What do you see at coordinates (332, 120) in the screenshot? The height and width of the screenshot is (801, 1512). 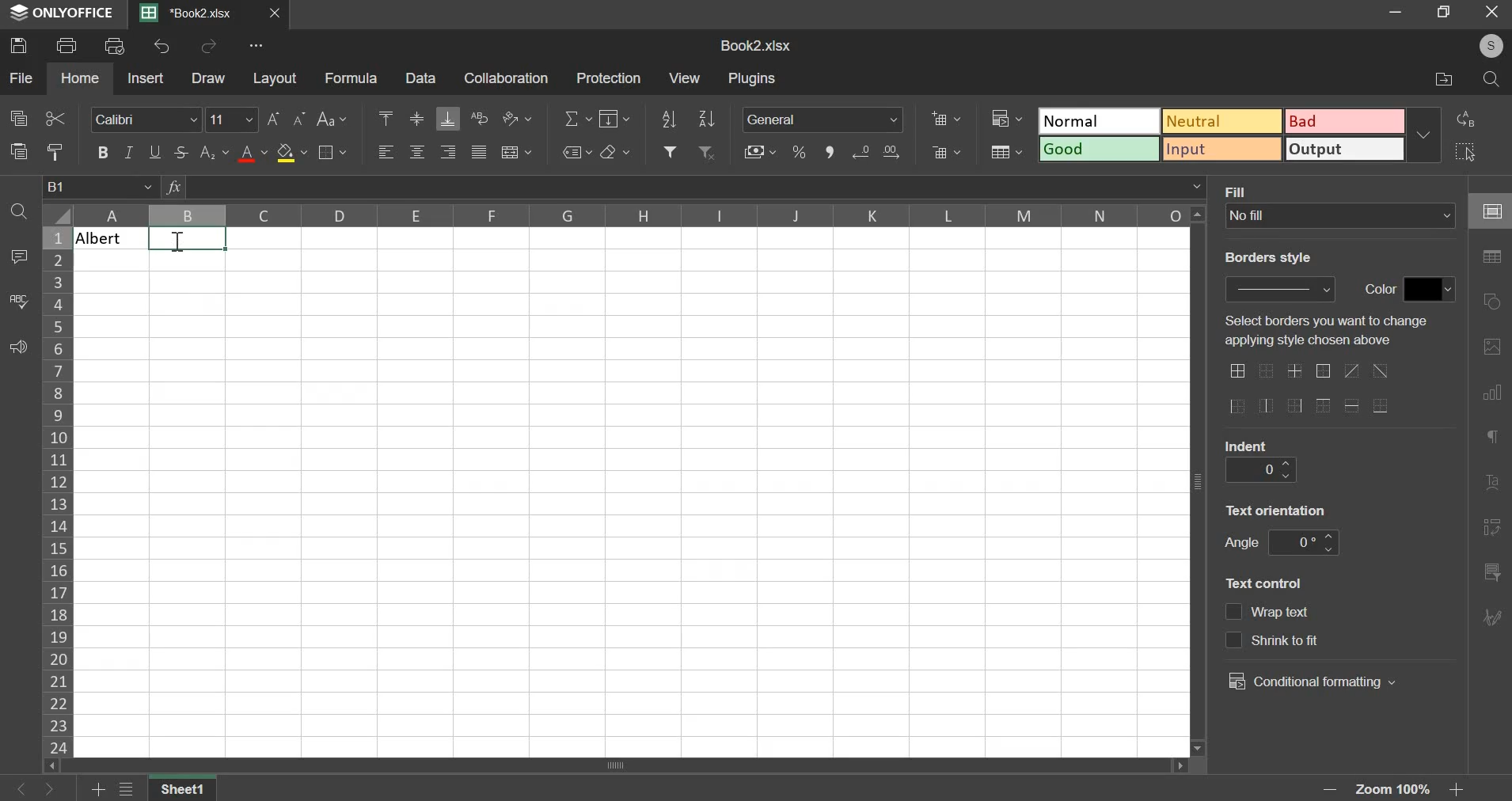 I see `change case` at bounding box center [332, 120].